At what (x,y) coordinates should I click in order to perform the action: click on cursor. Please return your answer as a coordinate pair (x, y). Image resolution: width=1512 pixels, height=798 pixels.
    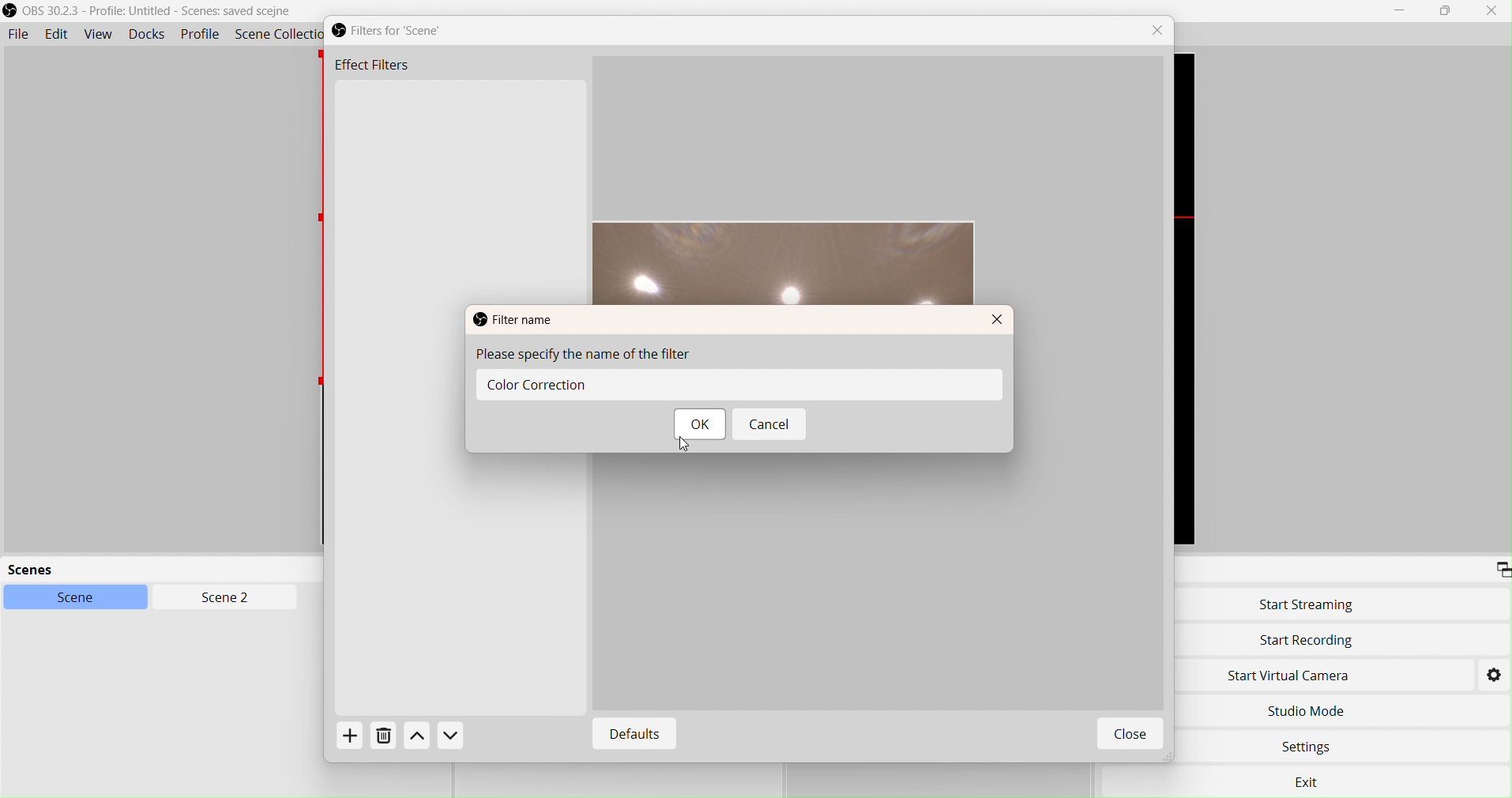
    Looking at the image, I should click on (686, 450).